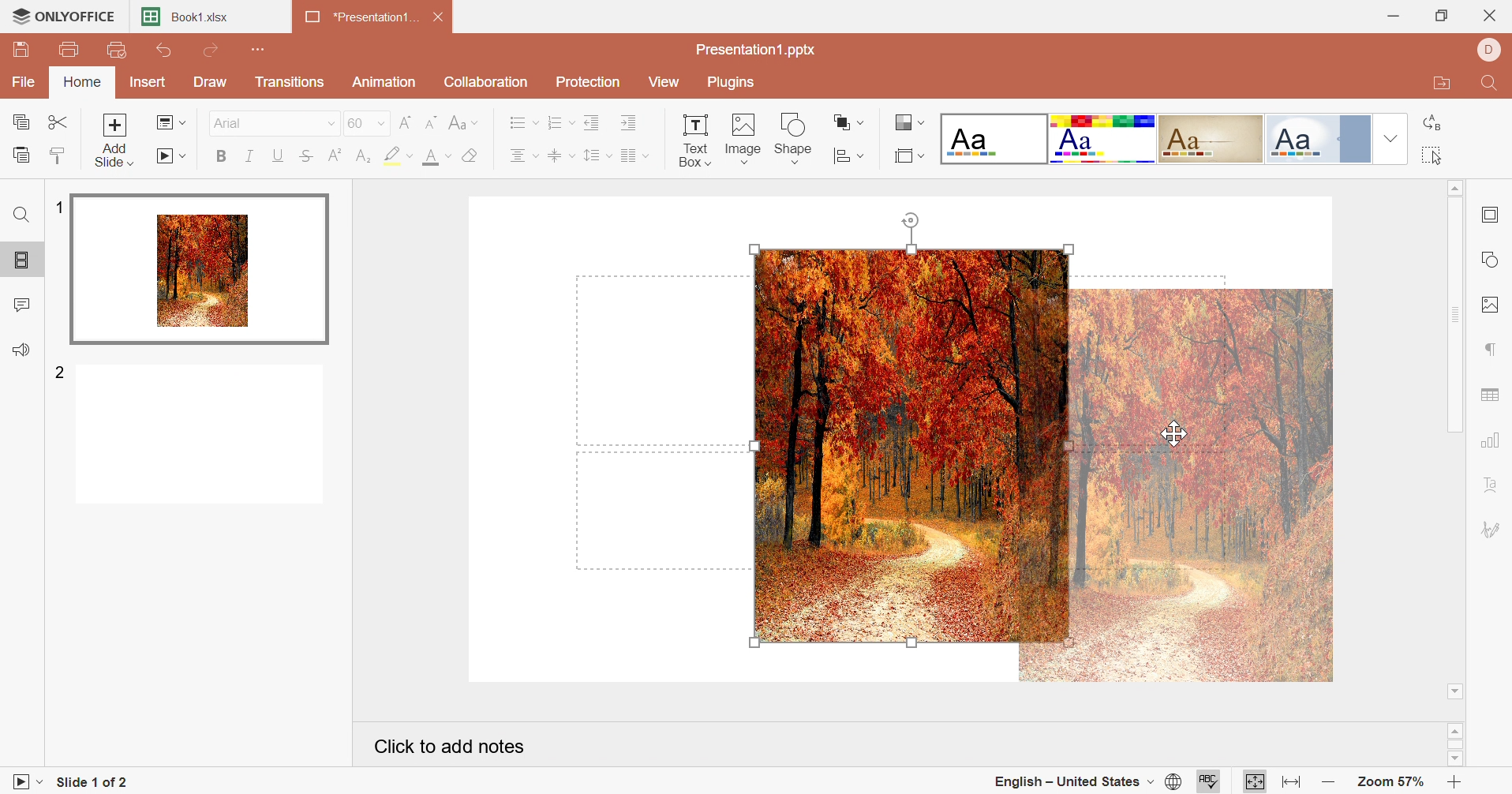 The width and height of the screenshot is (1512, 794). I want to click on image, so click(1177, 485).